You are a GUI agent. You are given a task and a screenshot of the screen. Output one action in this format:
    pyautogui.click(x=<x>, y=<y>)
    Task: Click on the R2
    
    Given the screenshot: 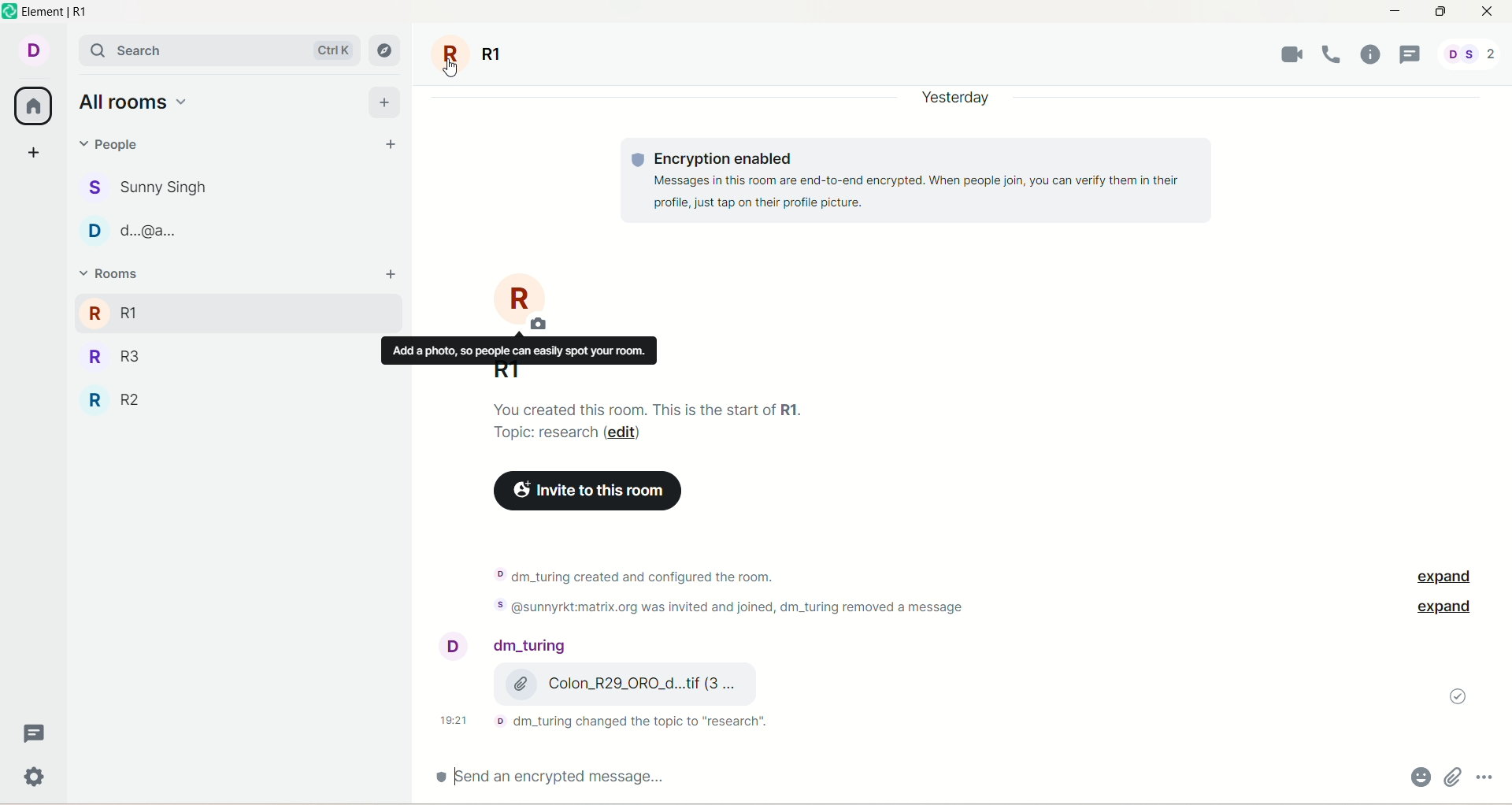 What is the action you would take?
    pyautogui.click(x=122, y=395)
    